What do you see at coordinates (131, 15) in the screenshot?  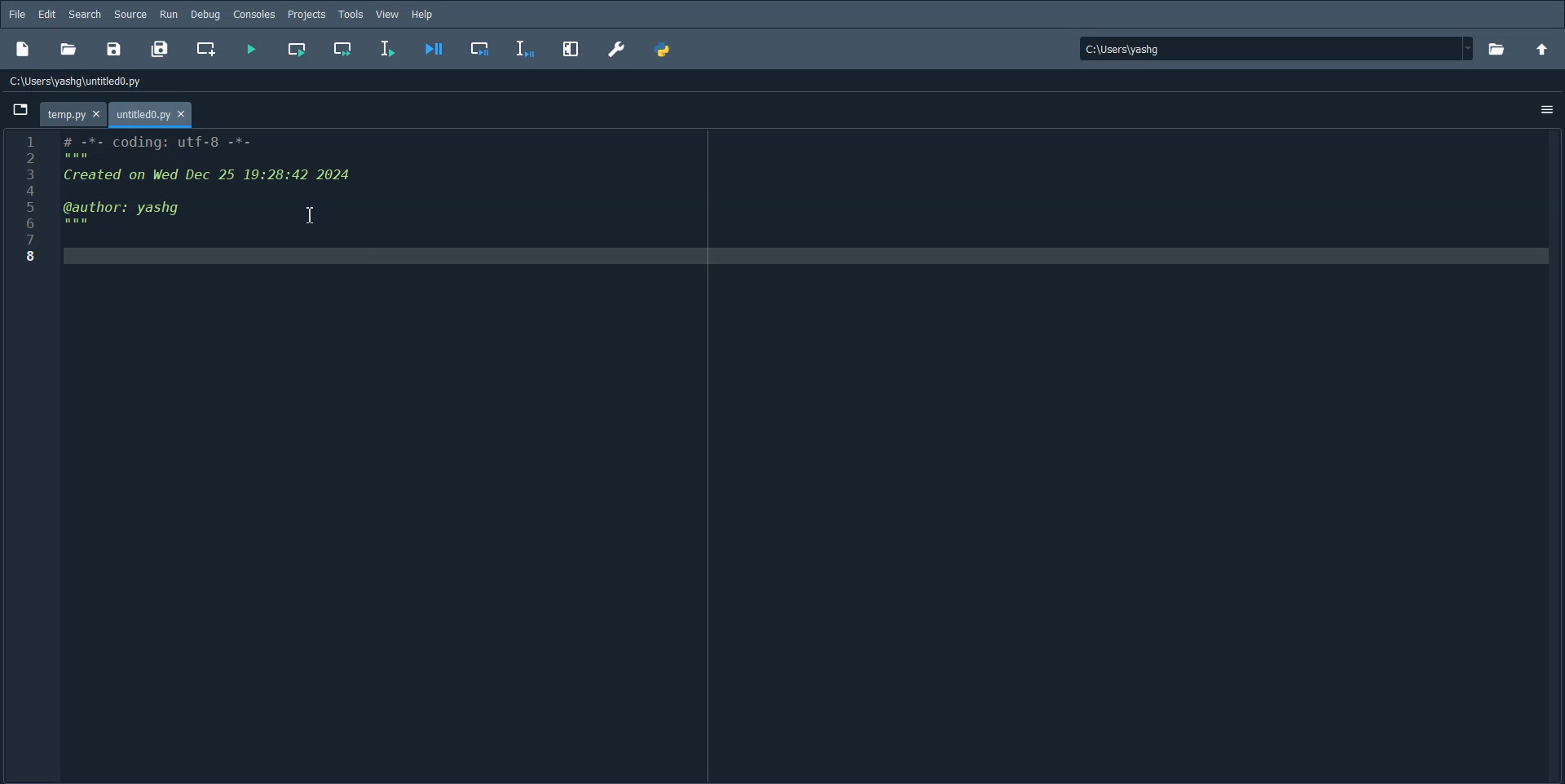 I see `source` at bounding box center [131, 15].